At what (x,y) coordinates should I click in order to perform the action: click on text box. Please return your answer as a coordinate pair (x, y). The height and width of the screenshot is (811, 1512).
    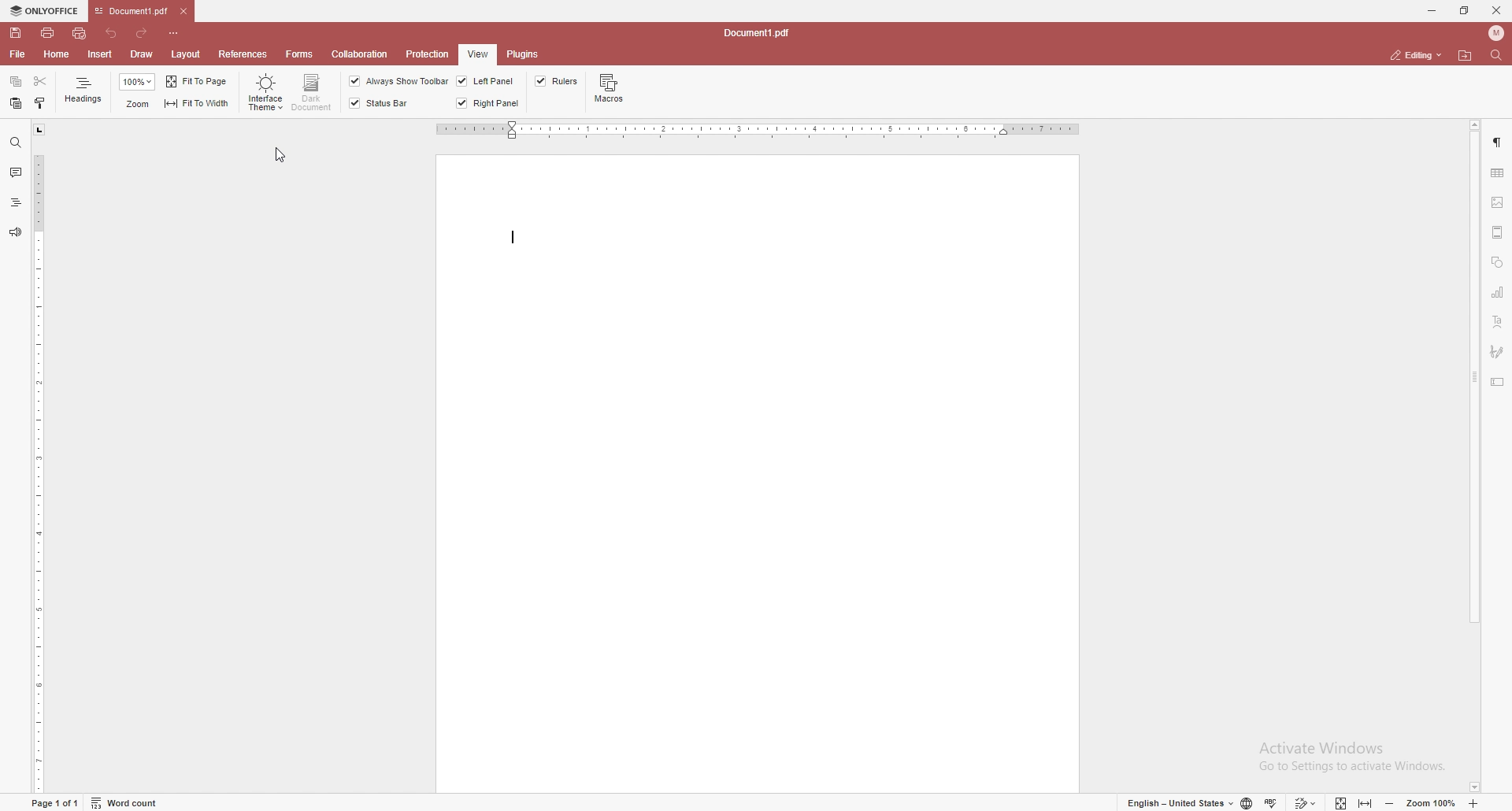
    Looking at the image, I should click on (1498, 383).